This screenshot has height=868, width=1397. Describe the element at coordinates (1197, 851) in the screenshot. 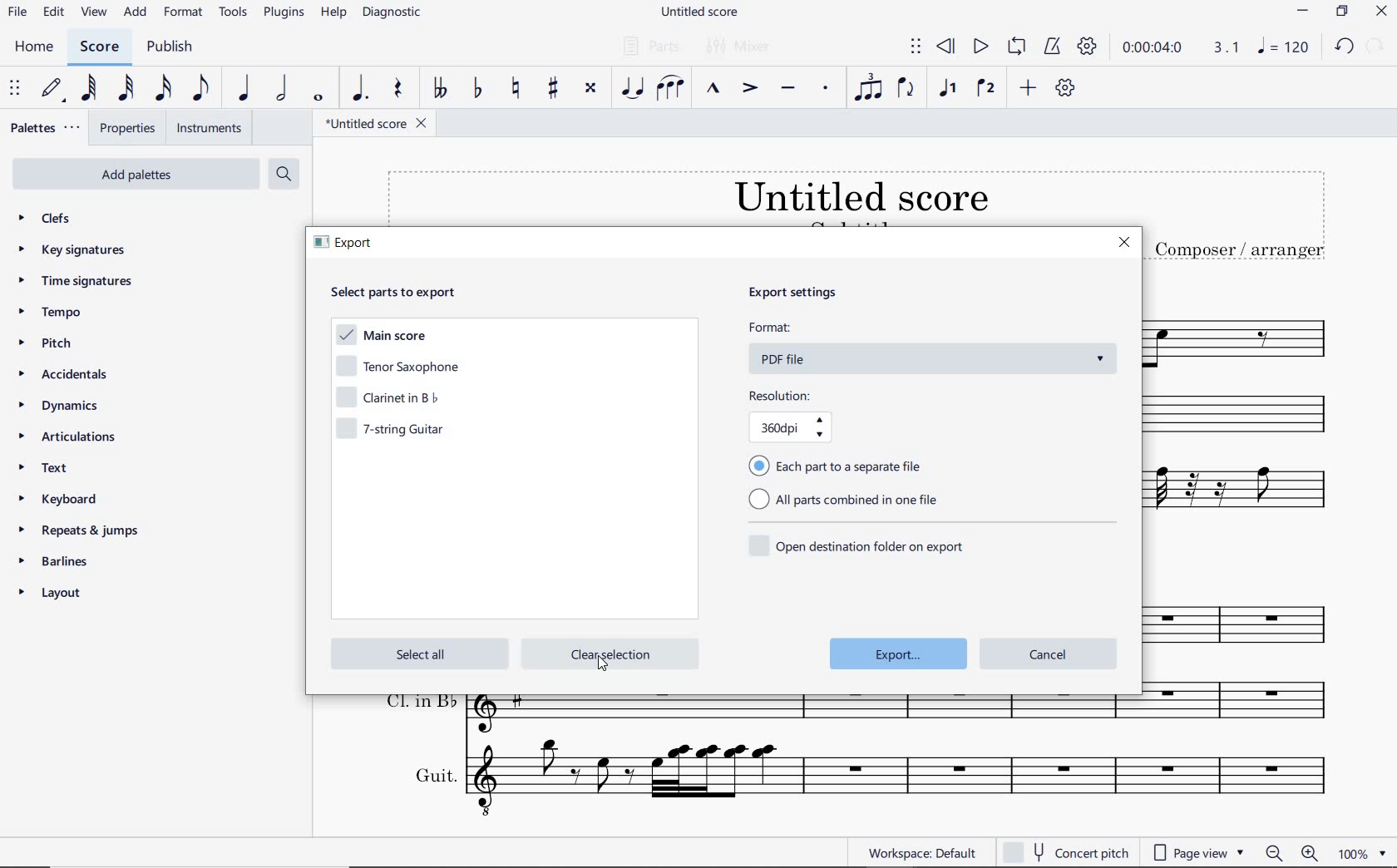

I see `page view` at that location.